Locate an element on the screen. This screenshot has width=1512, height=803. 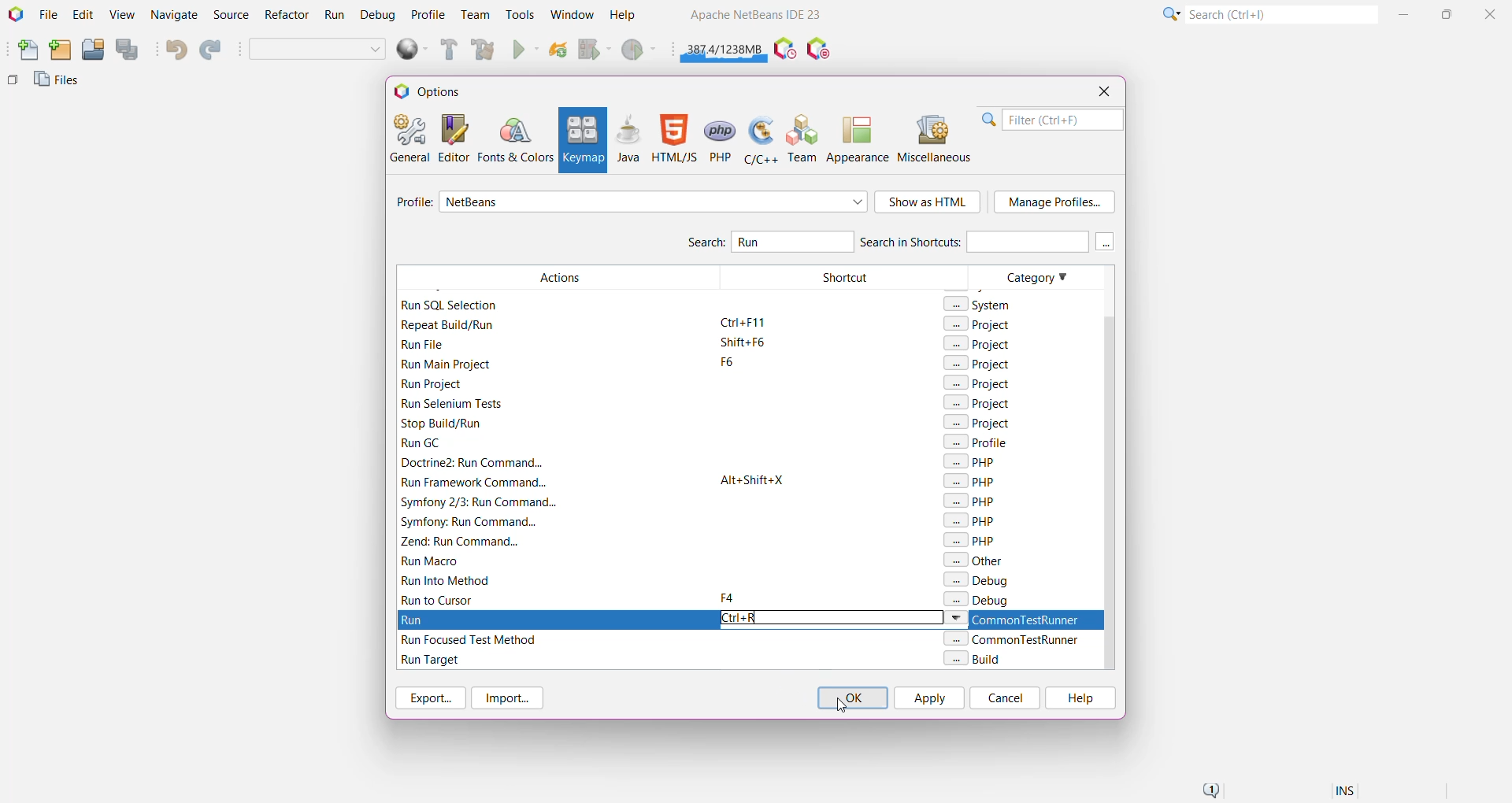
More keys is located at coordinates (1106, 242).